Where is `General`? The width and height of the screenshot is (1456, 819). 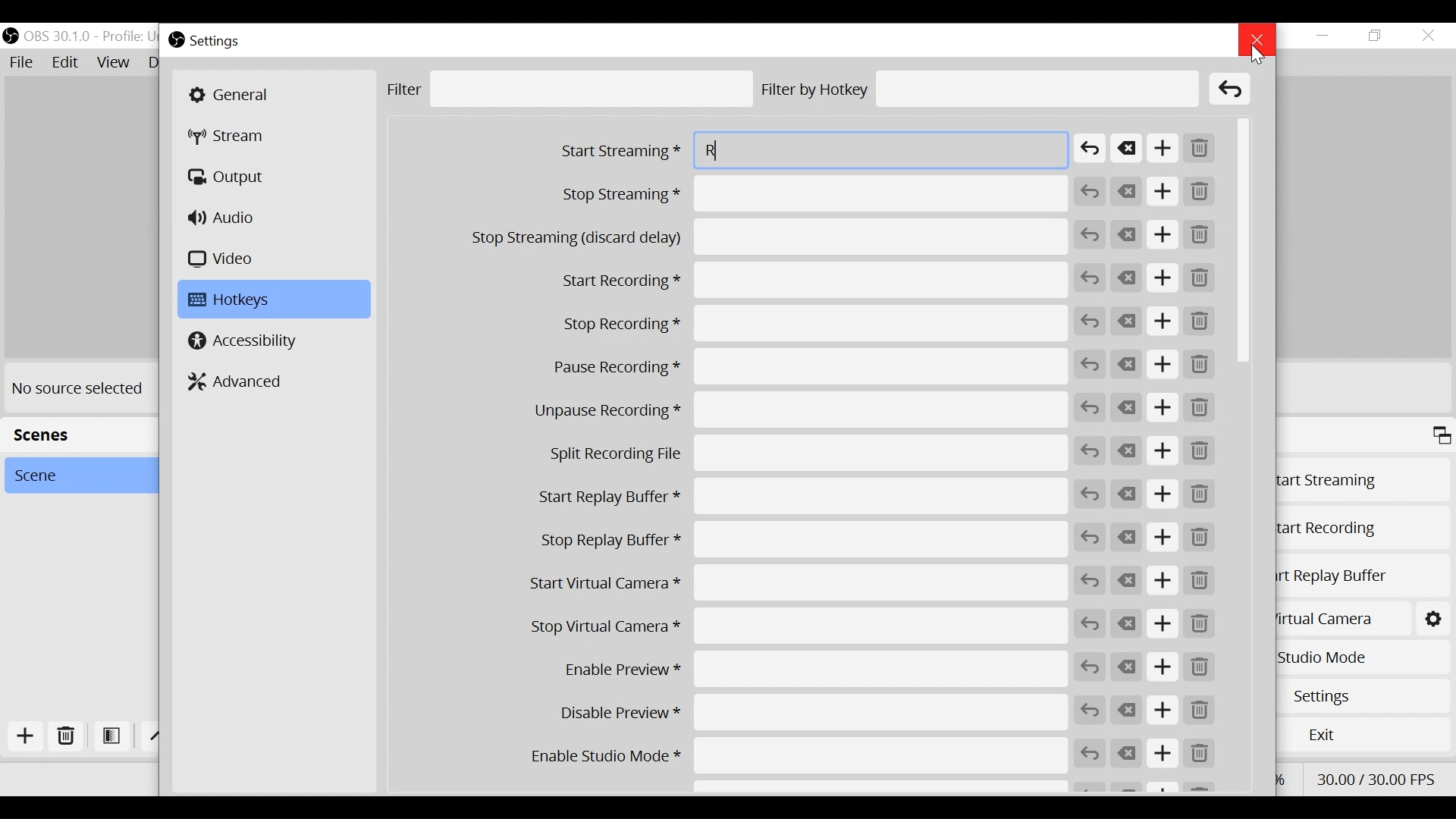 General is located at coordinates (274, 94).